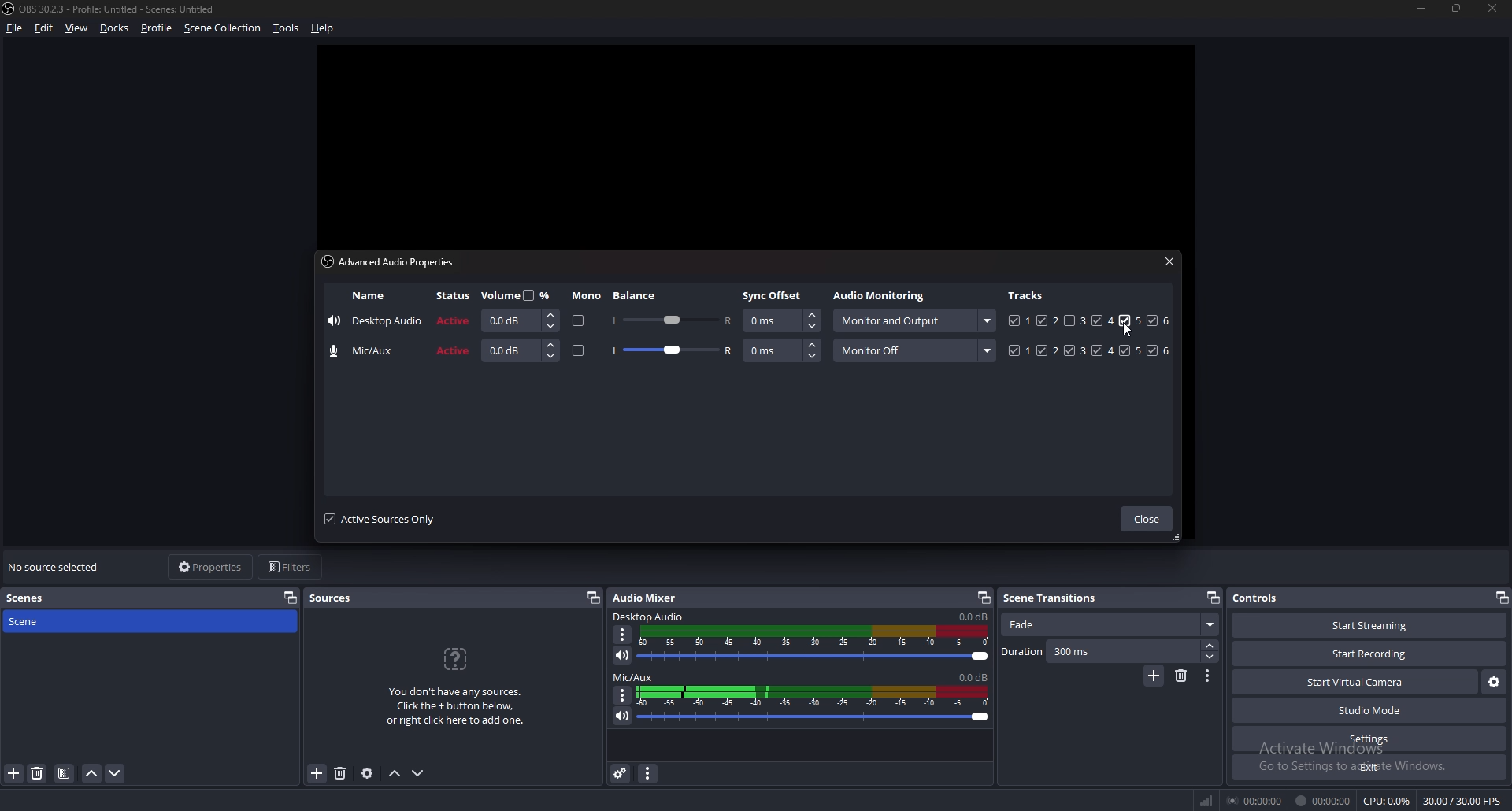 Image resolution: width=1512 pixels, height=811 pixels. I want to click on tools, so click(285, 29).